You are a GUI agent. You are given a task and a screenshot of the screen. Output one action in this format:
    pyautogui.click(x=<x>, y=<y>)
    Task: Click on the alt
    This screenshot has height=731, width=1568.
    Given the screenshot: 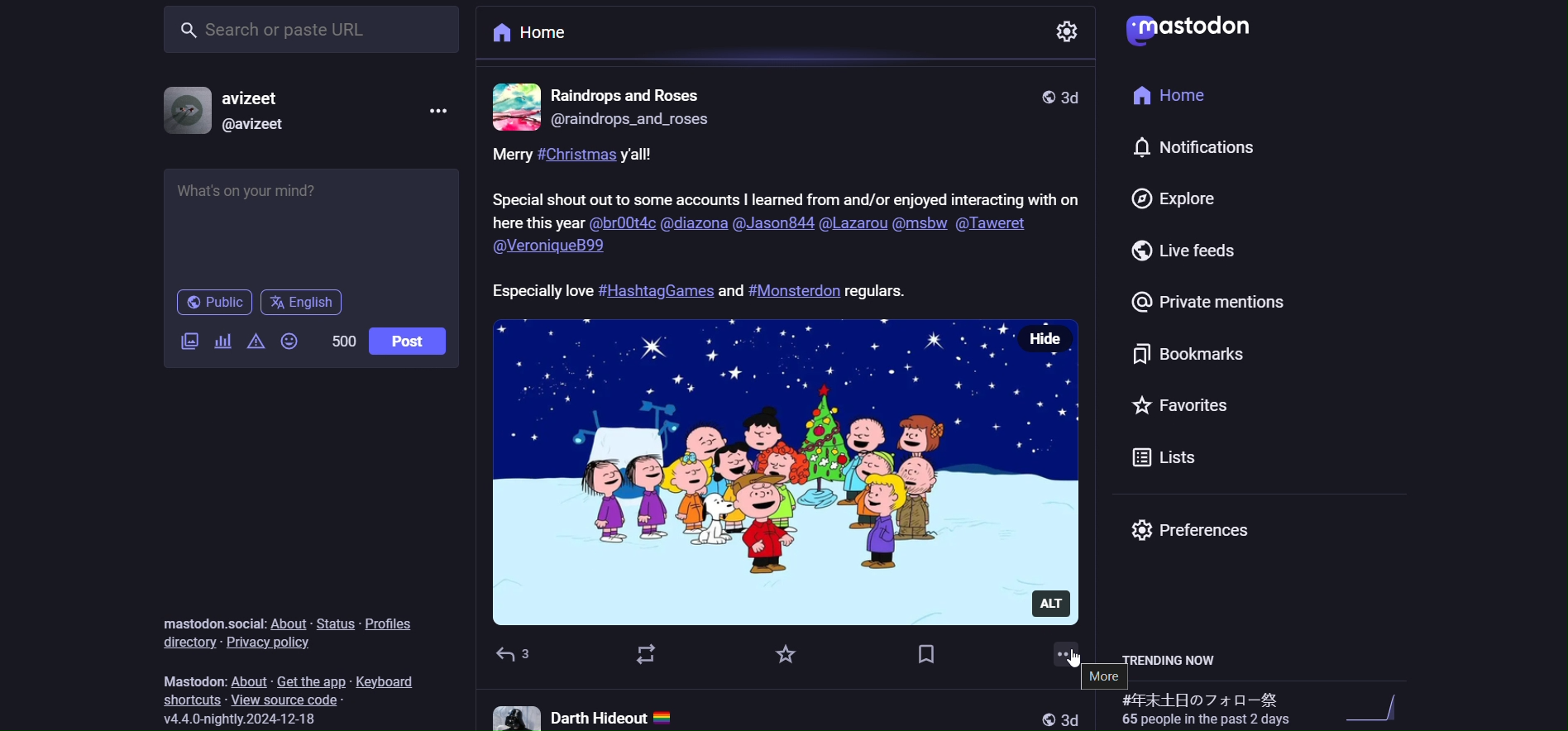 What is the action you would take?
    pyautogui.click(x=1050, y=603)
    